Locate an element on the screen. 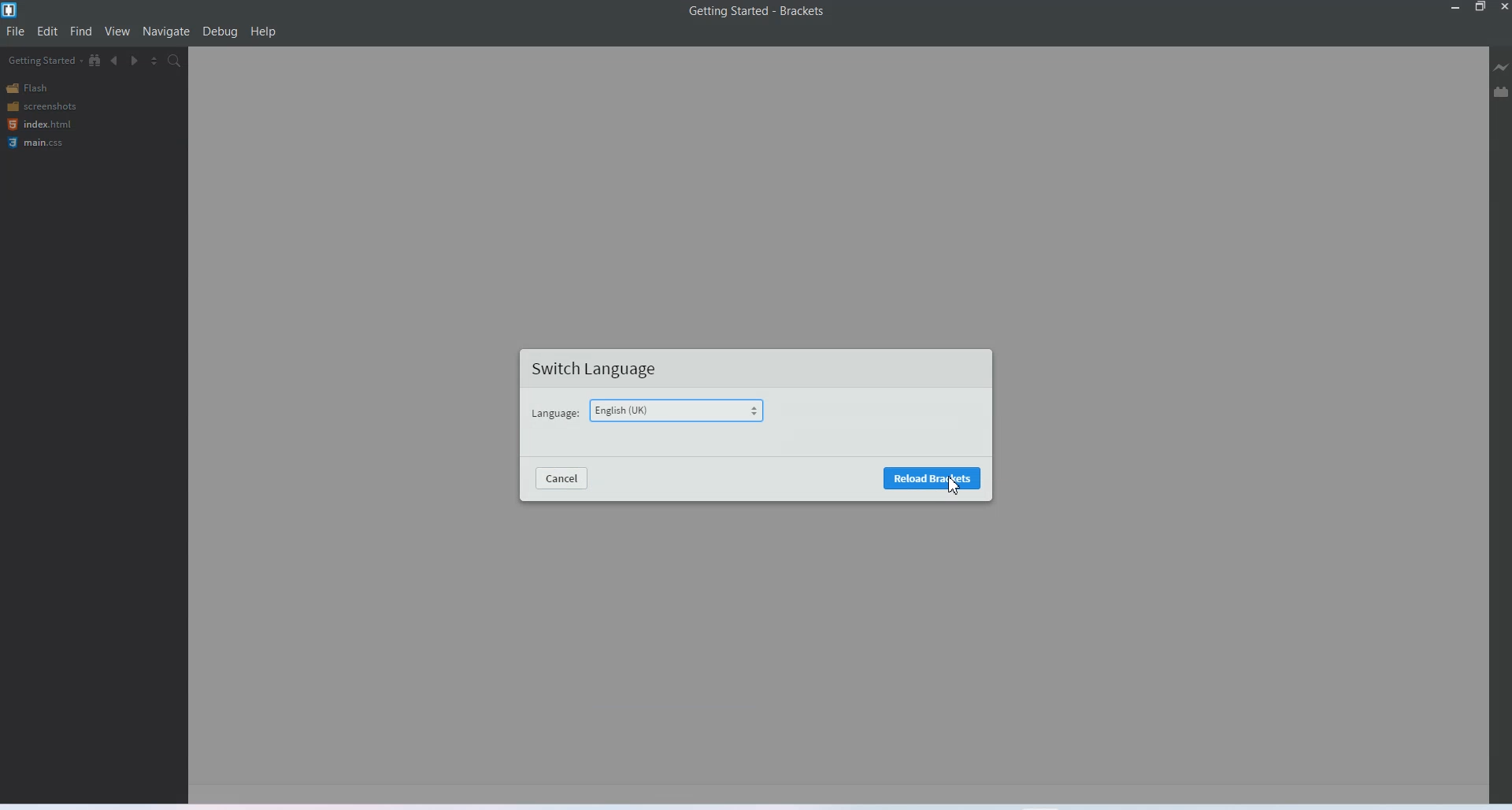 The width and height of the screenshot is (1512, 810). File is located at coordinates (16, 32).